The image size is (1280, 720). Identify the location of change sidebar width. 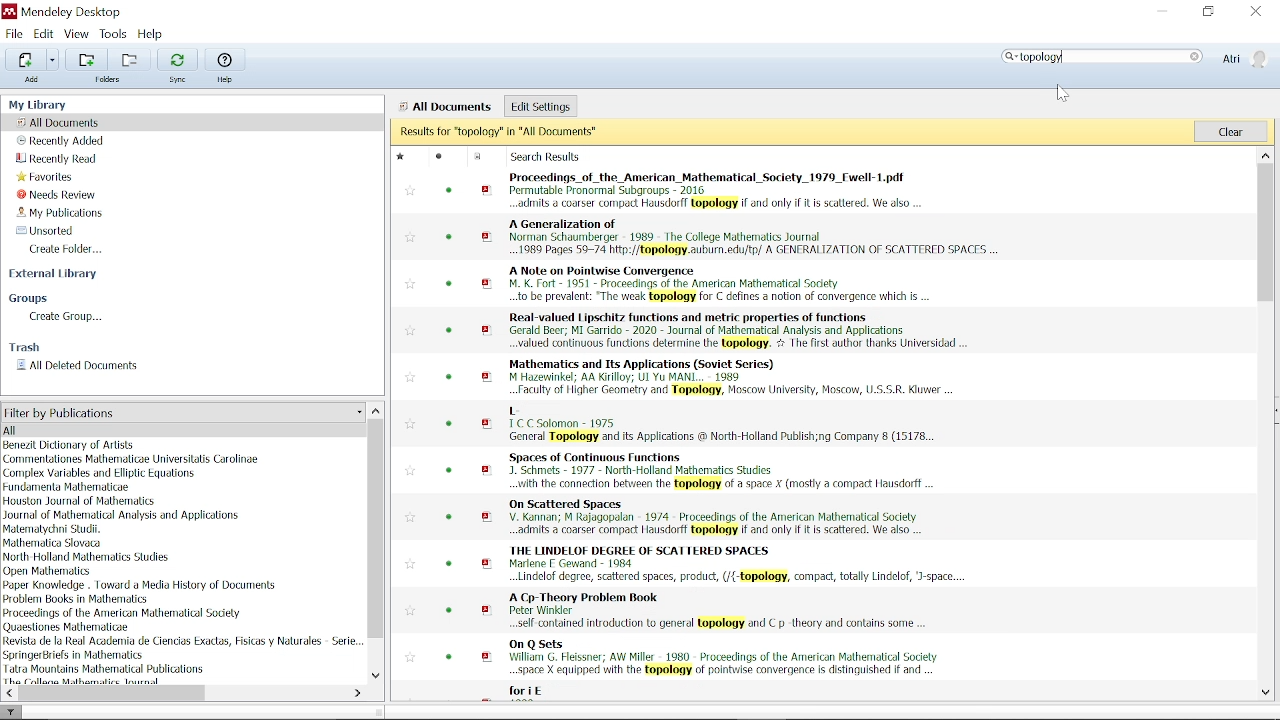
(378, 711).